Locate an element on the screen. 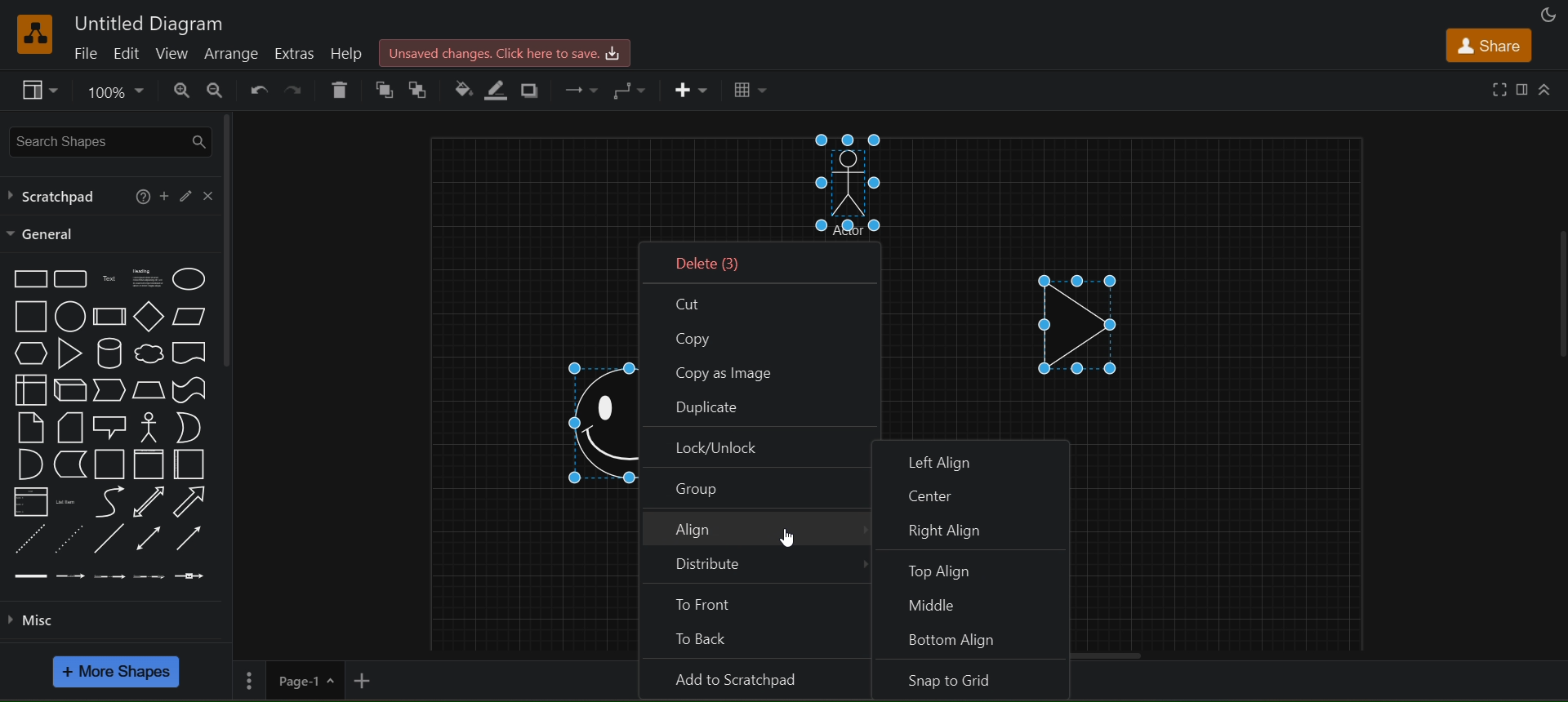  untitled diagram is located at coordinates (152, 22).